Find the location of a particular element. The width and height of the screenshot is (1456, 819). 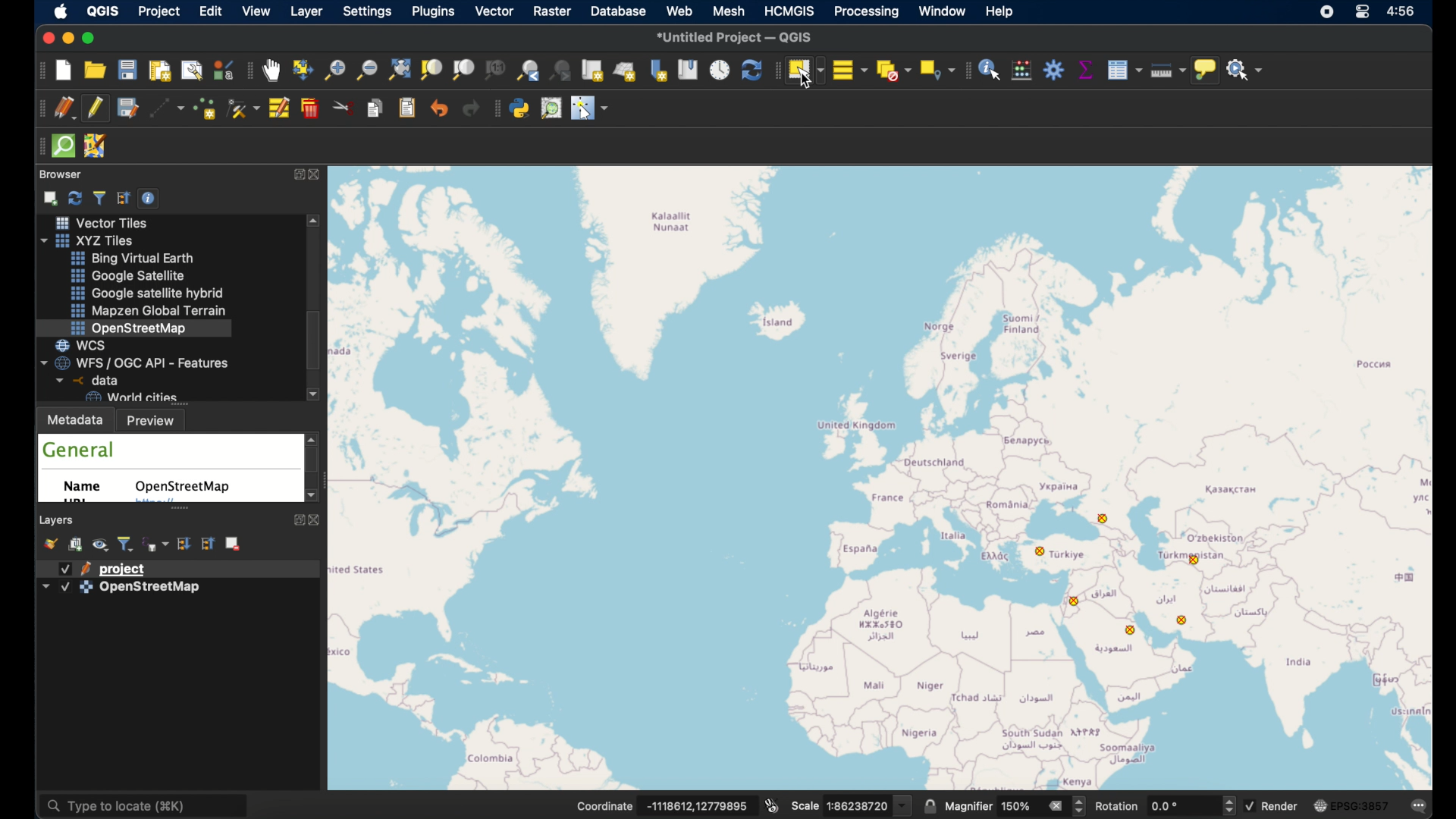

name is located at coordinates (87, 489).